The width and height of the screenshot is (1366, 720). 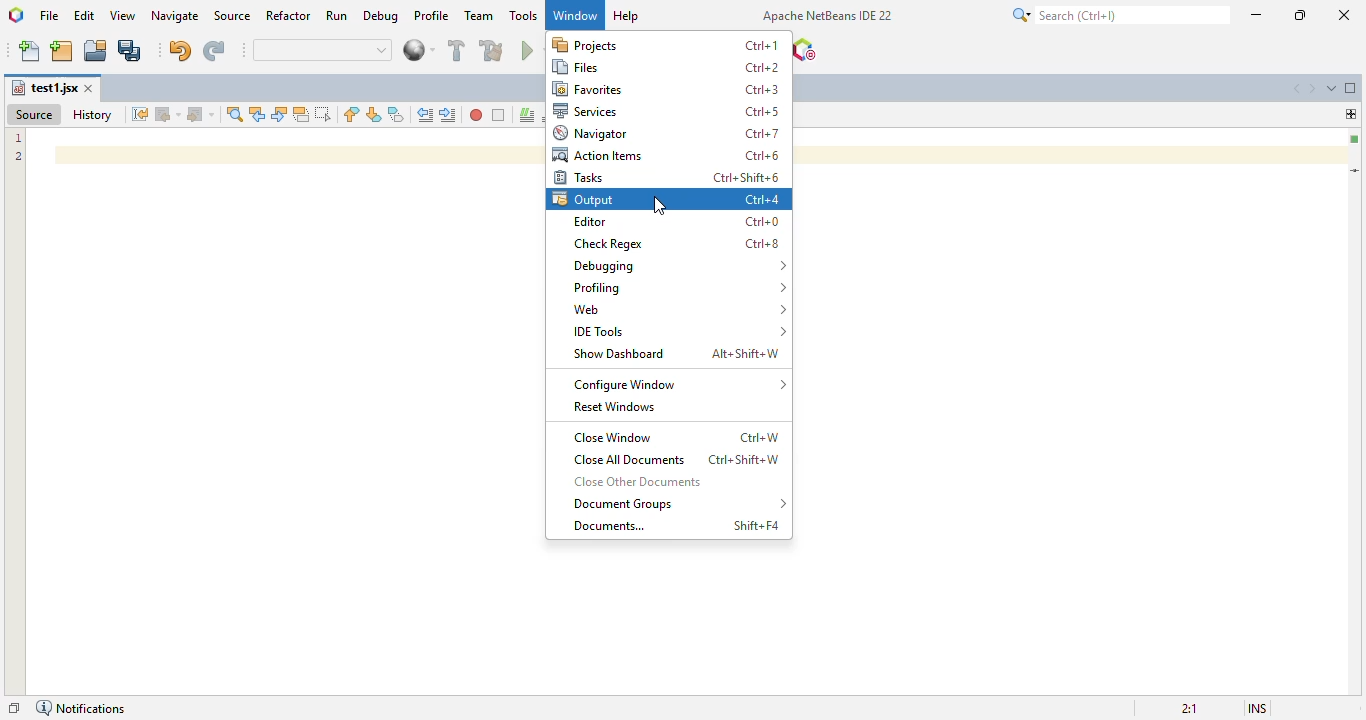 I want to click on Check Regex Ctrl + 8, so click(x=677, y=243).